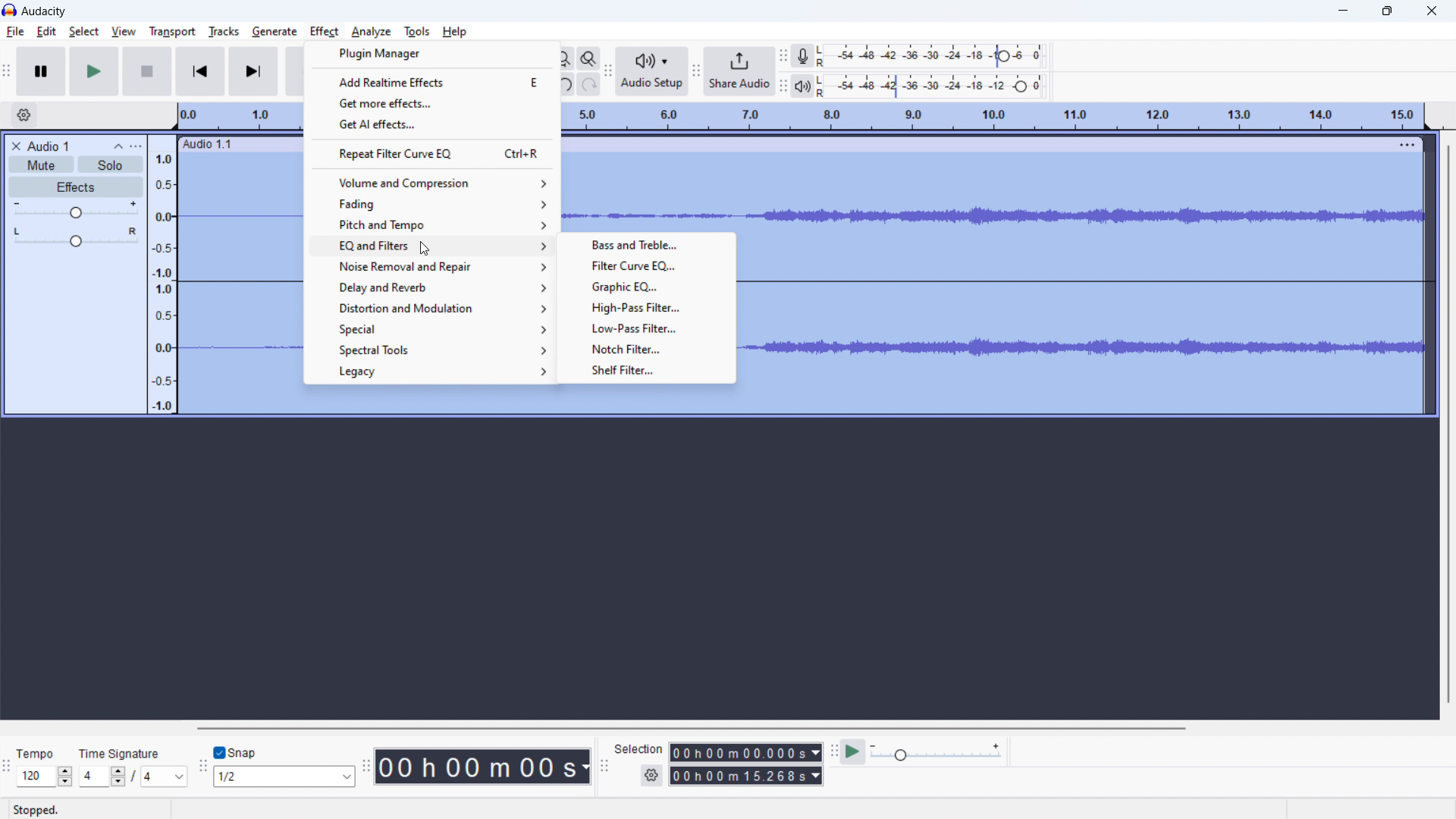 The width and height of the screenshot is (1456, 819). I want to click on audio setup, so click(654, 73).